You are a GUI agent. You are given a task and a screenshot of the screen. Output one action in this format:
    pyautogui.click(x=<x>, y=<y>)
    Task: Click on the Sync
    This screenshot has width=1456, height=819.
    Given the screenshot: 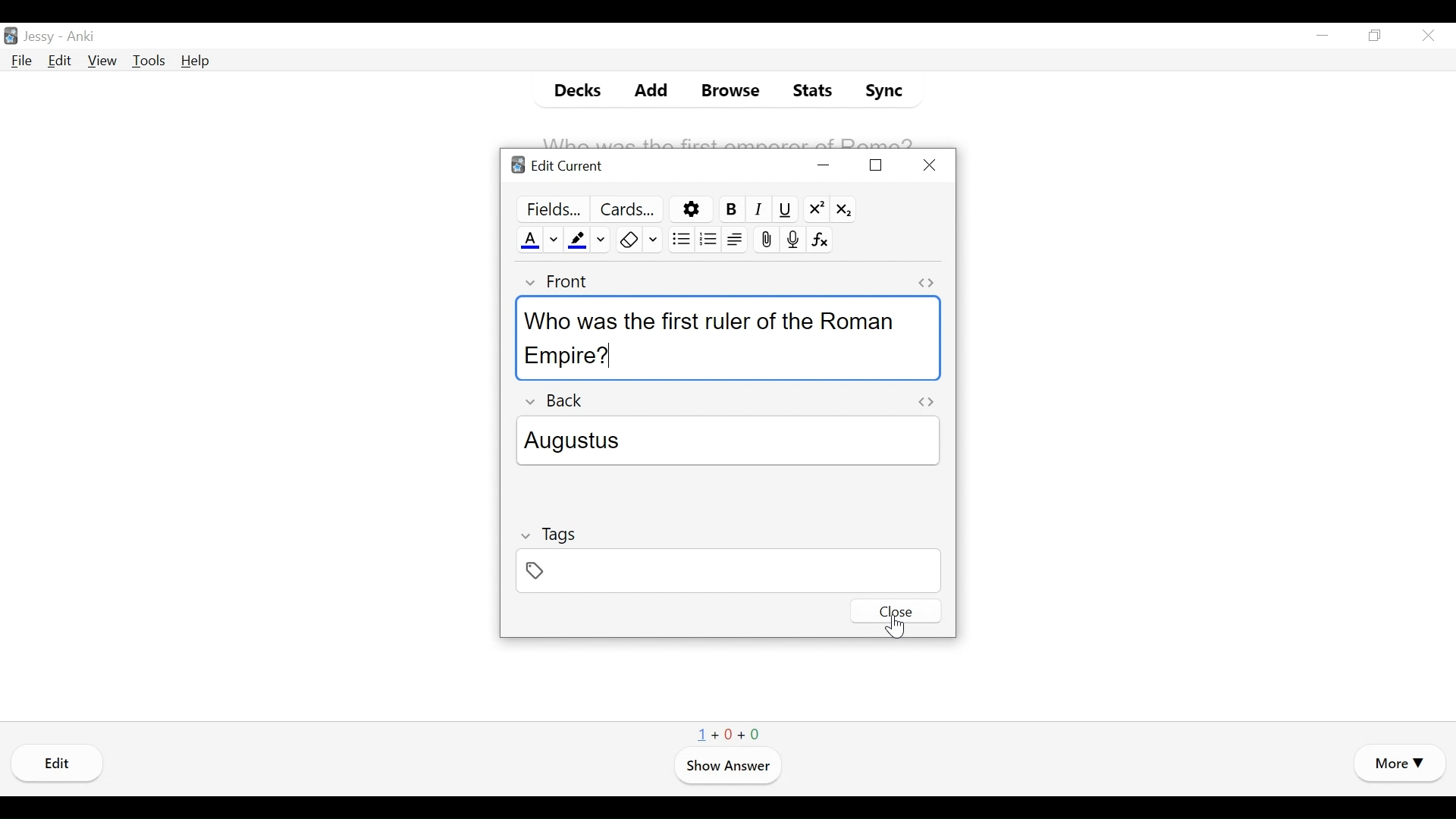 What is the action you would take?
    pyautogui.click(x=880, y=90)
    